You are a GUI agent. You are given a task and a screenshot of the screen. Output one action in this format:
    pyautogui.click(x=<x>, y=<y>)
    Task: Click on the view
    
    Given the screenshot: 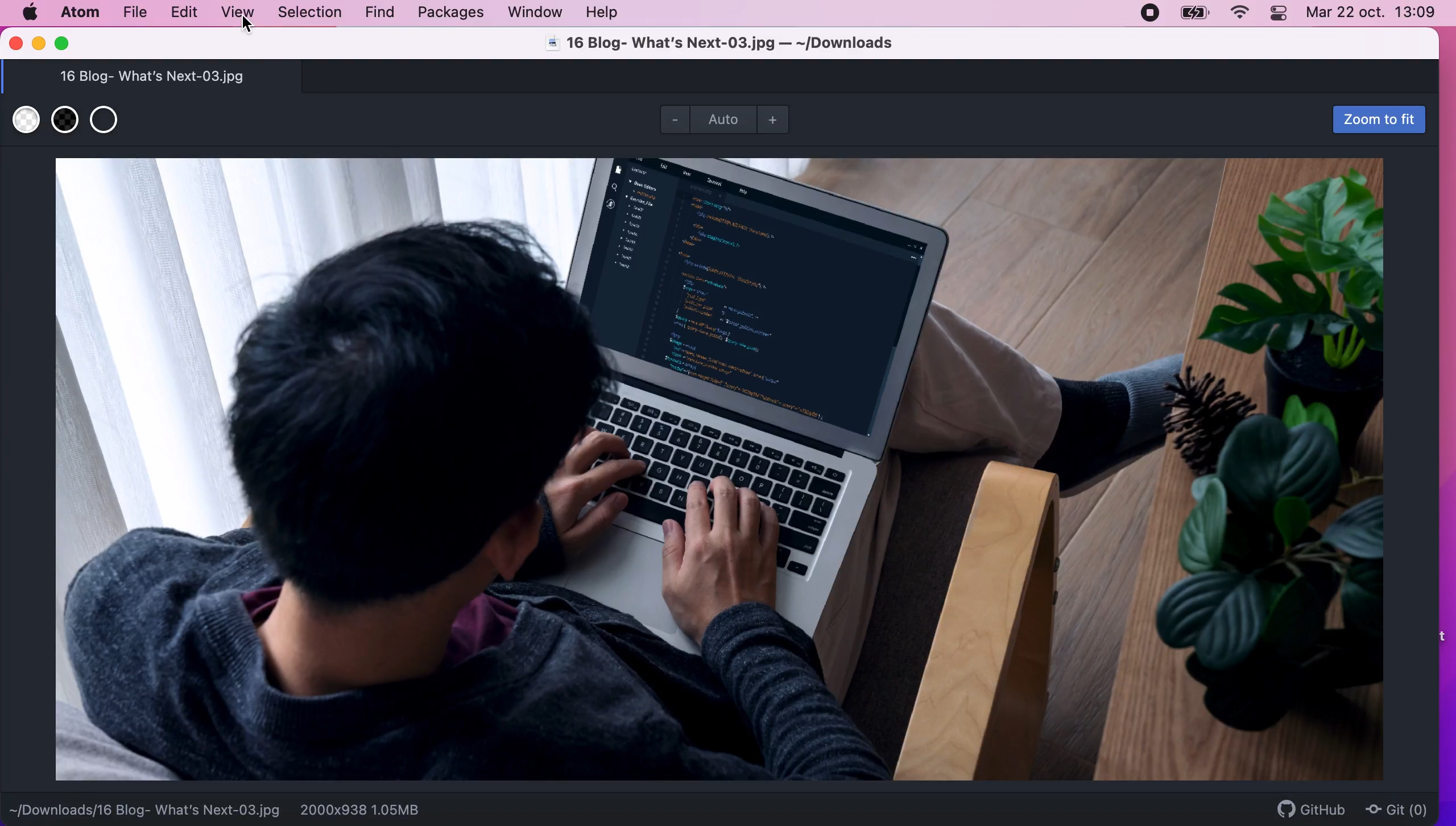 What is the action you would take?
    pyautogui.click(x=239, y=14)
    